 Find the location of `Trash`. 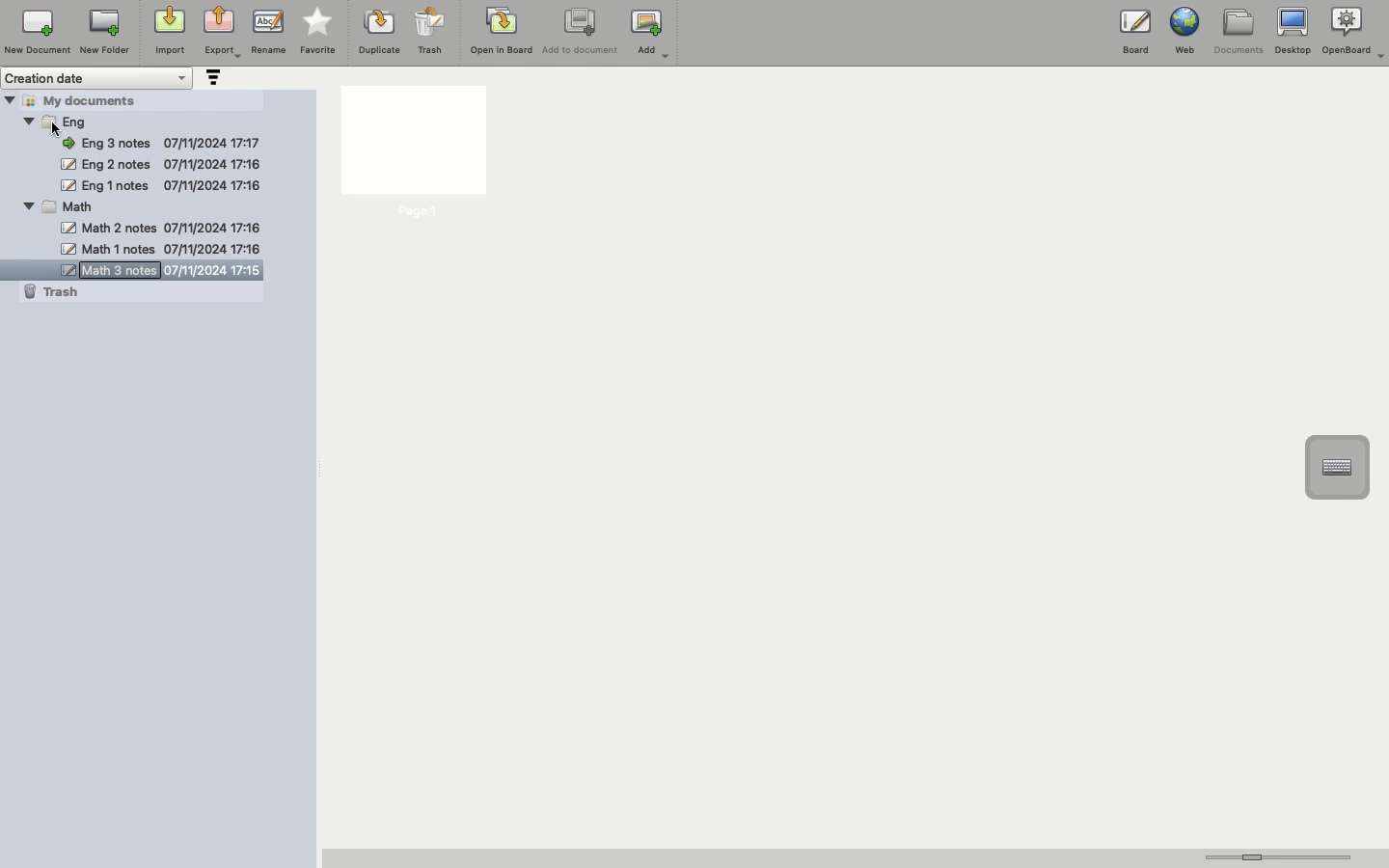

Trash is located at coordinates (51, 294).